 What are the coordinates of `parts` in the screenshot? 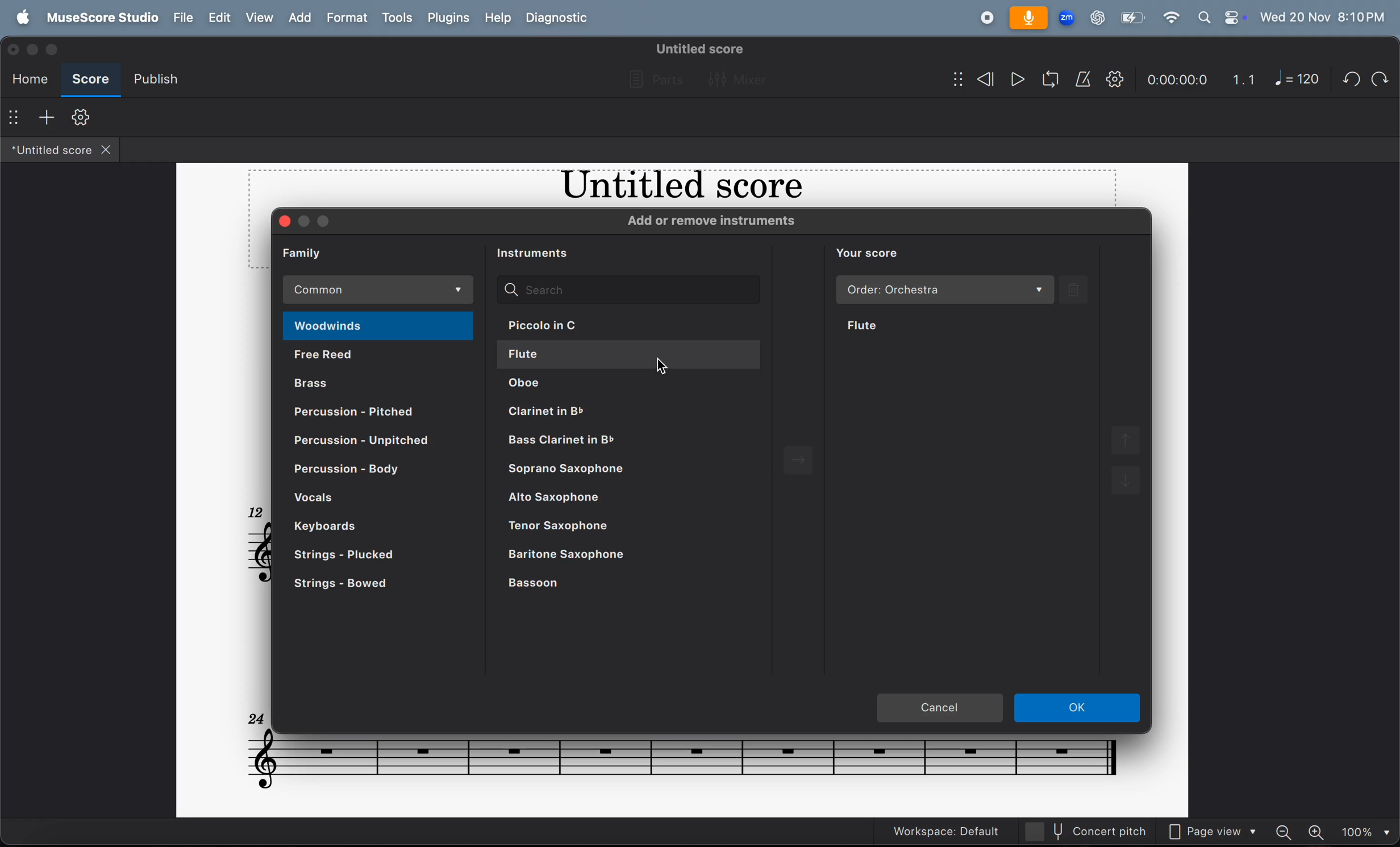 It's located at (652, 77).